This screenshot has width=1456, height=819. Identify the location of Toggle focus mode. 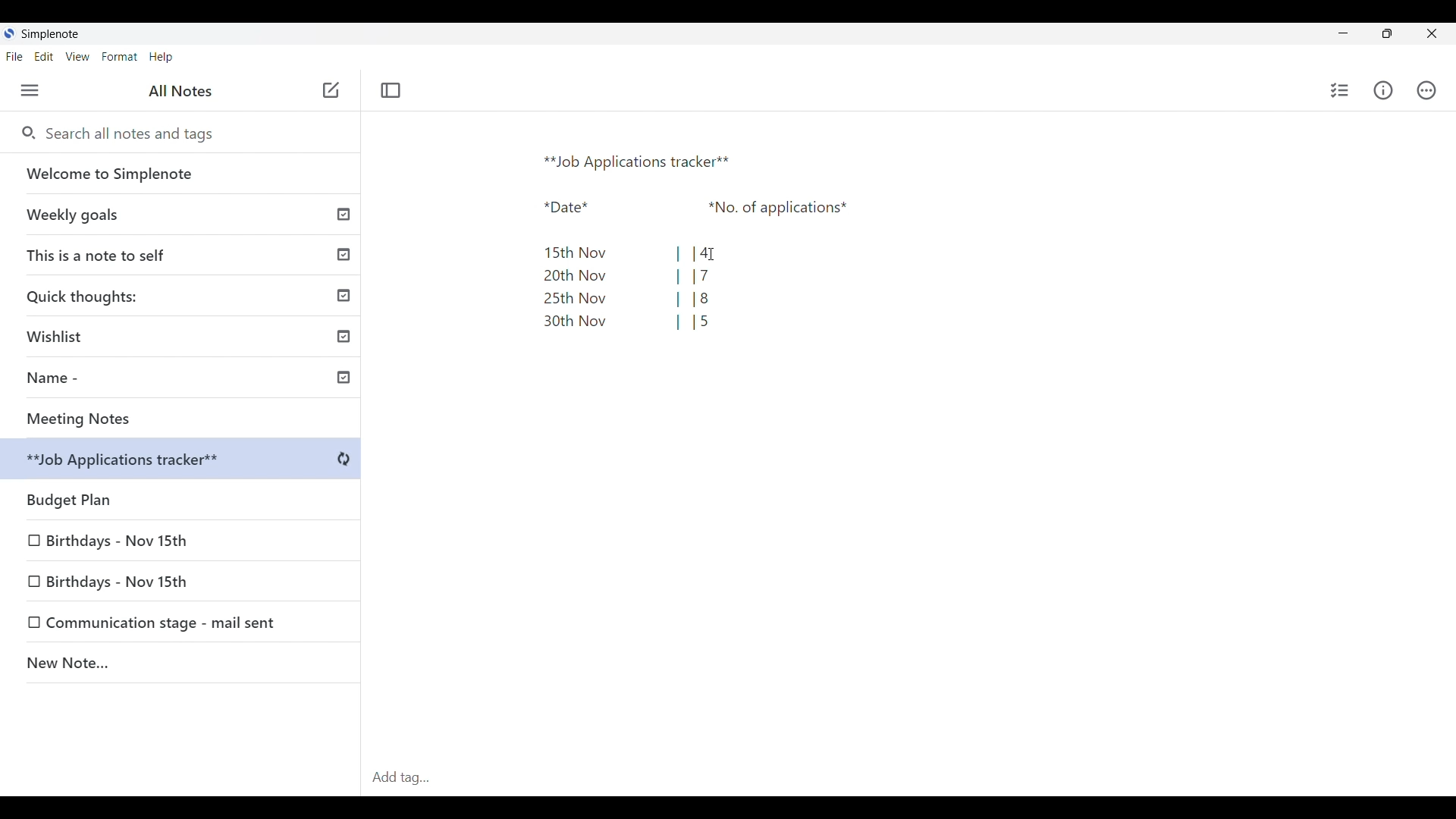
(390, 90).